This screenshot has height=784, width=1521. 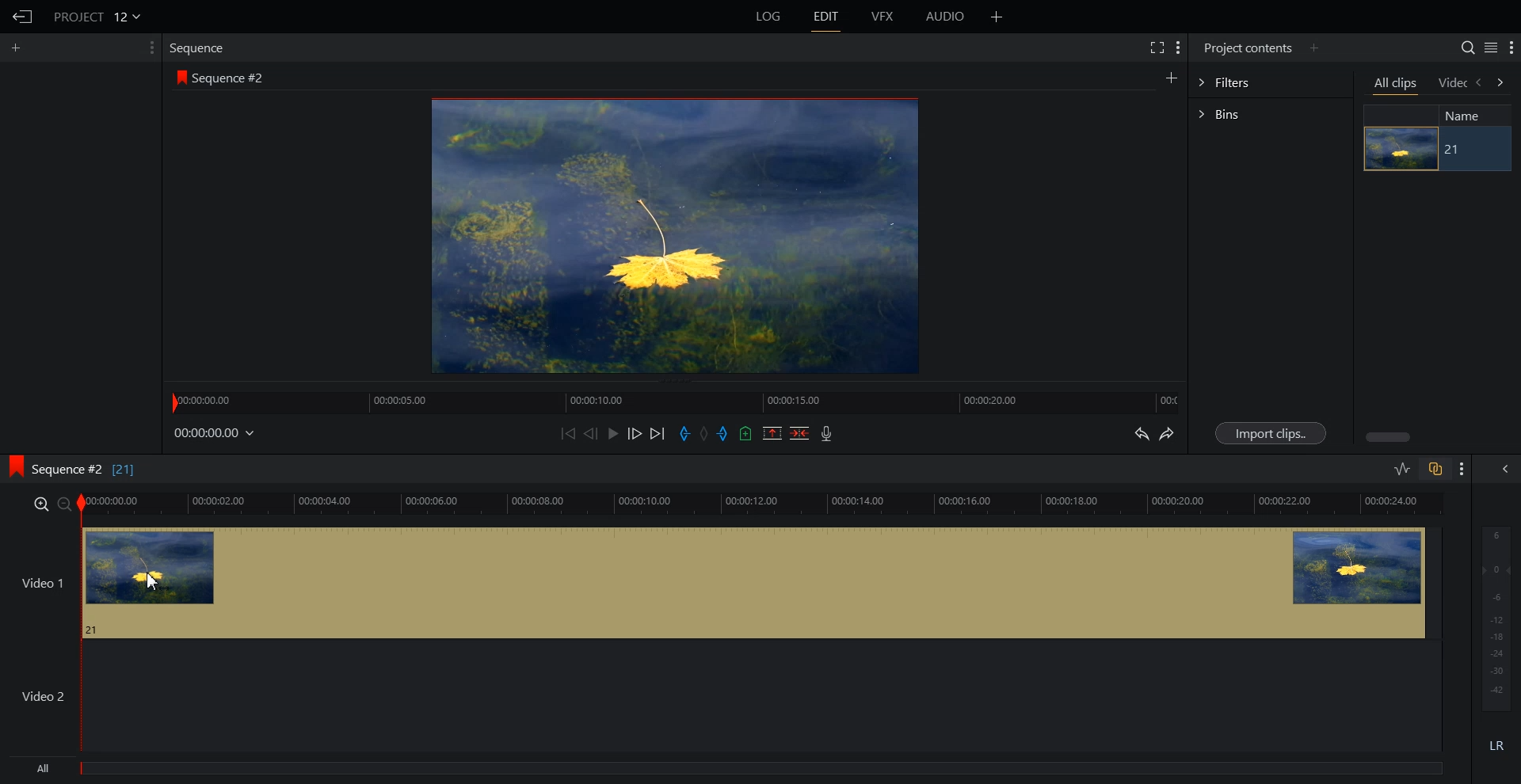 I want to click on All, so click(x=729, y=771).